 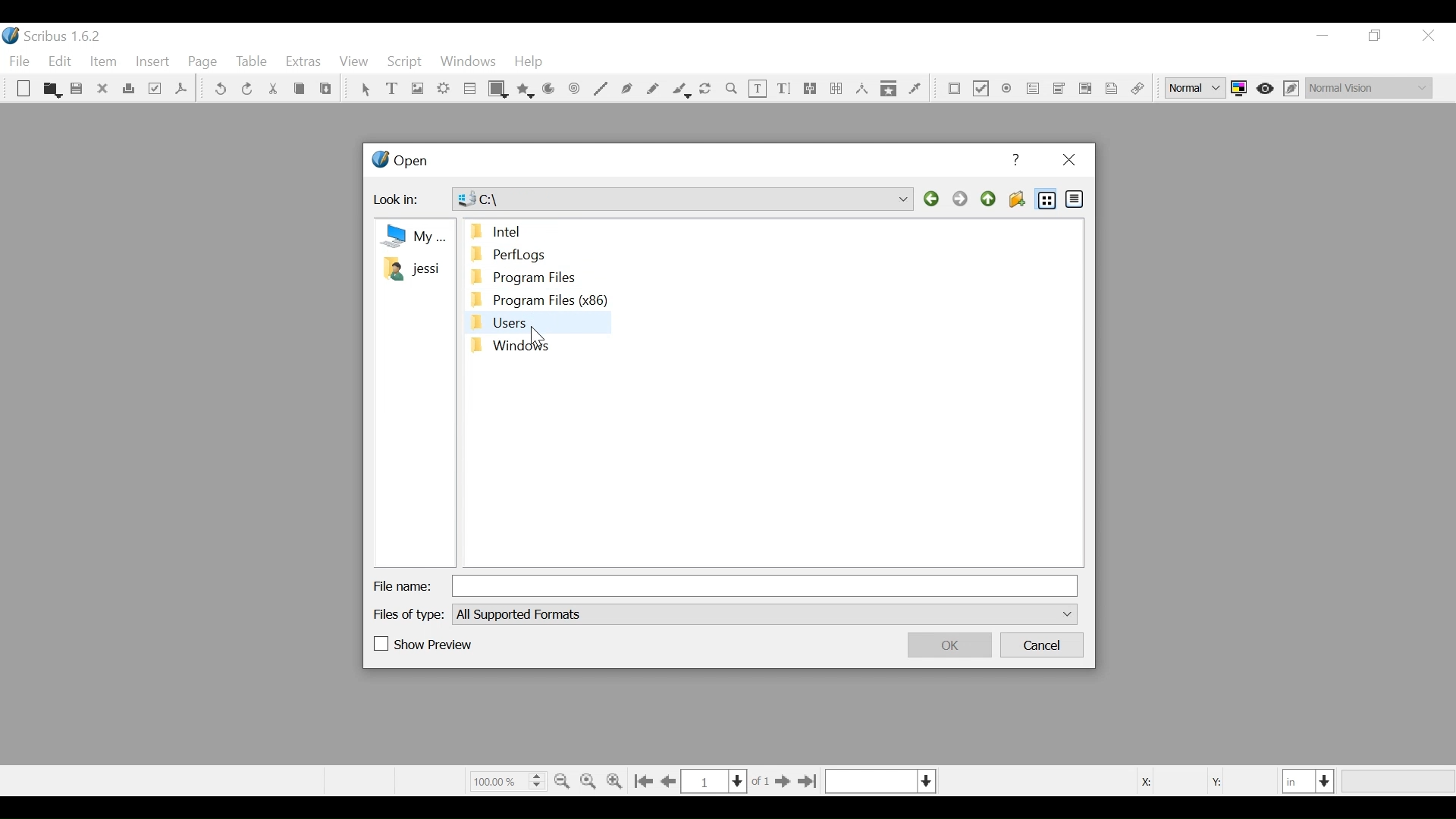 What do you see at coordinates (272, 89) in the screenshot?
I see `Cut` at bounding box center [272, 89].